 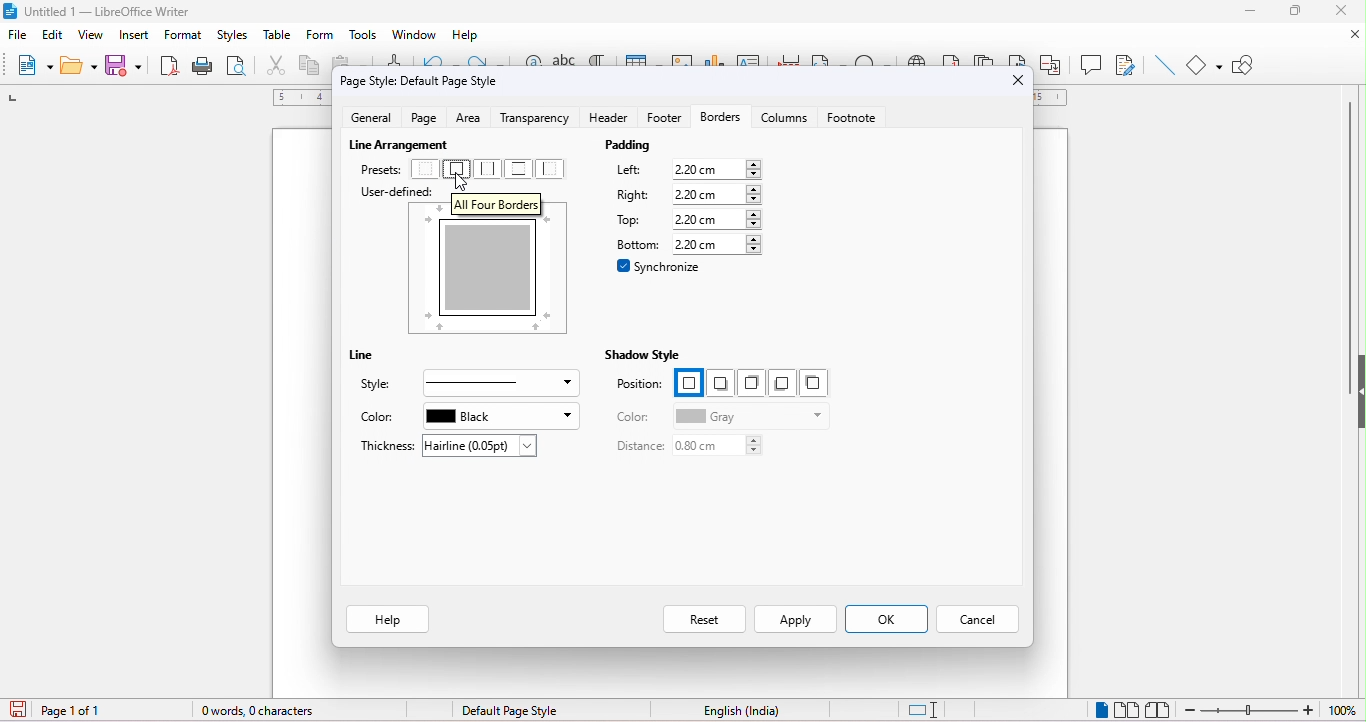 I want to click on , so click(x=94, y=32).